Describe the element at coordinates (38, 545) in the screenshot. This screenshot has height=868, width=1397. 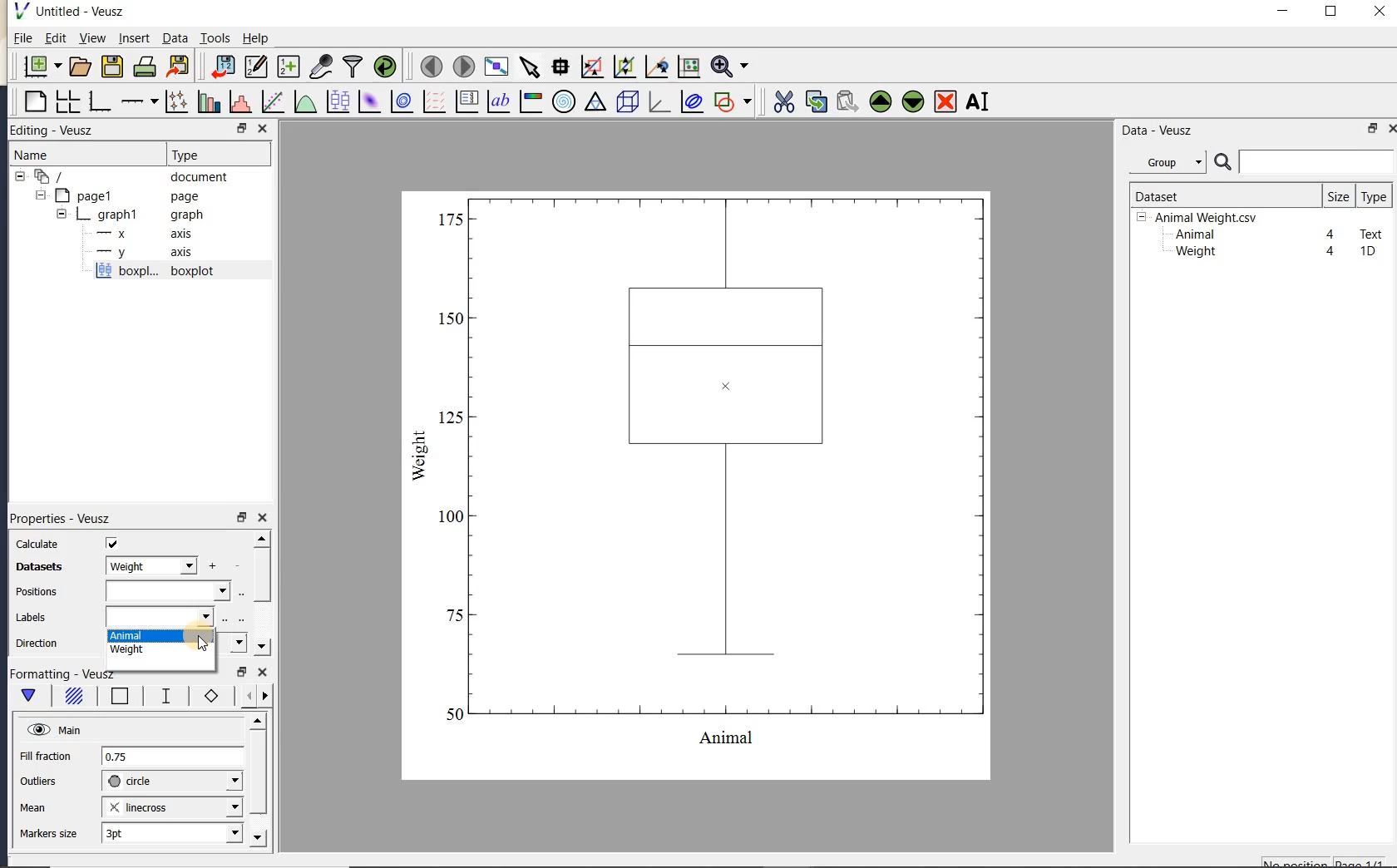
I see `calculate` at that location.